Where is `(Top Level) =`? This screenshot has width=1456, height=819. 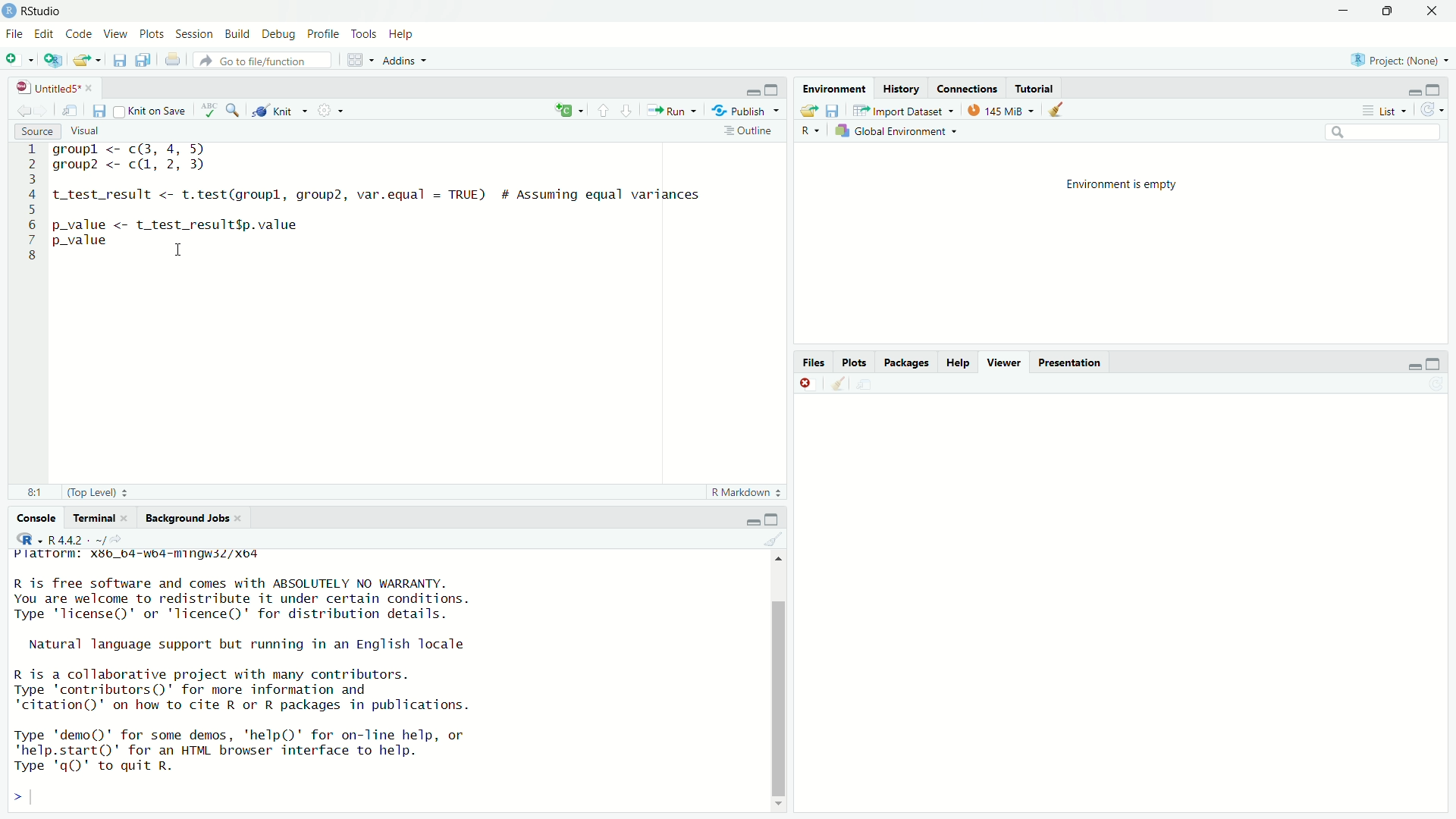 (Top Level) = is located at coordinates (93, 492).